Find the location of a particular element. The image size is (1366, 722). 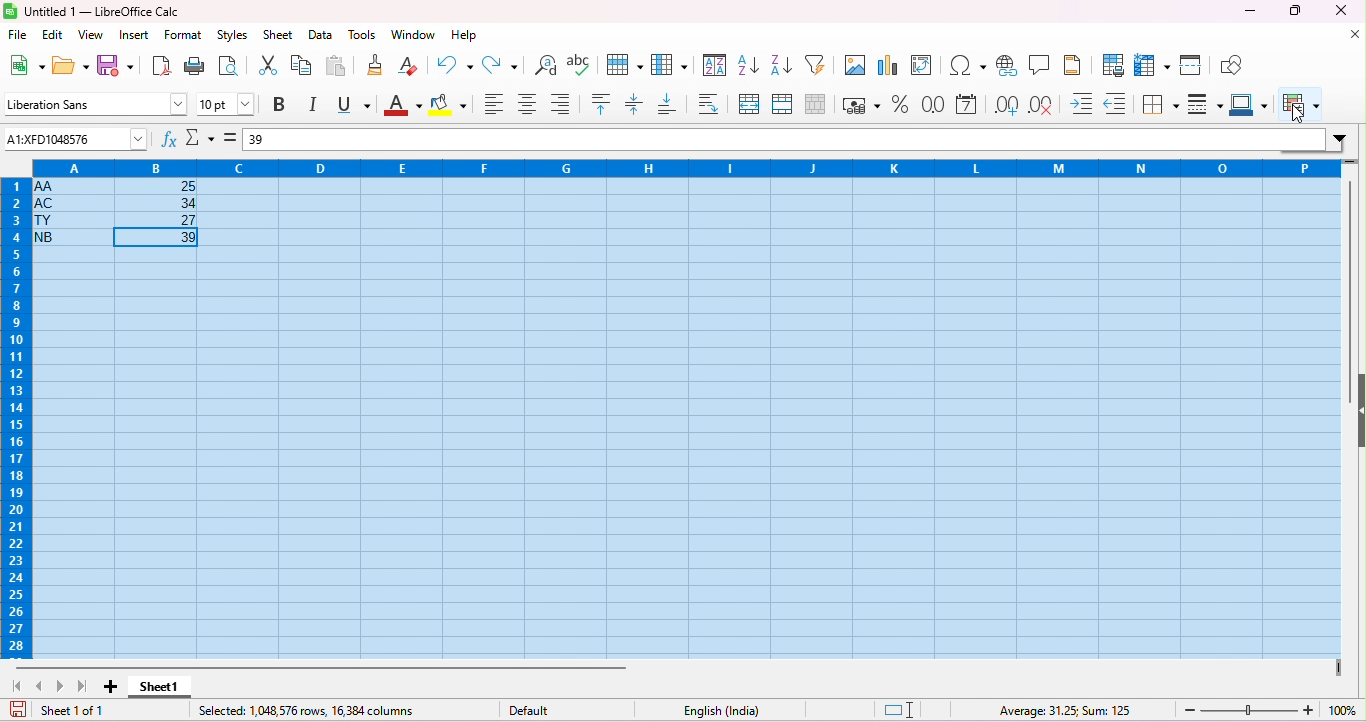

export as pdf is located at coordinates (161, 65).